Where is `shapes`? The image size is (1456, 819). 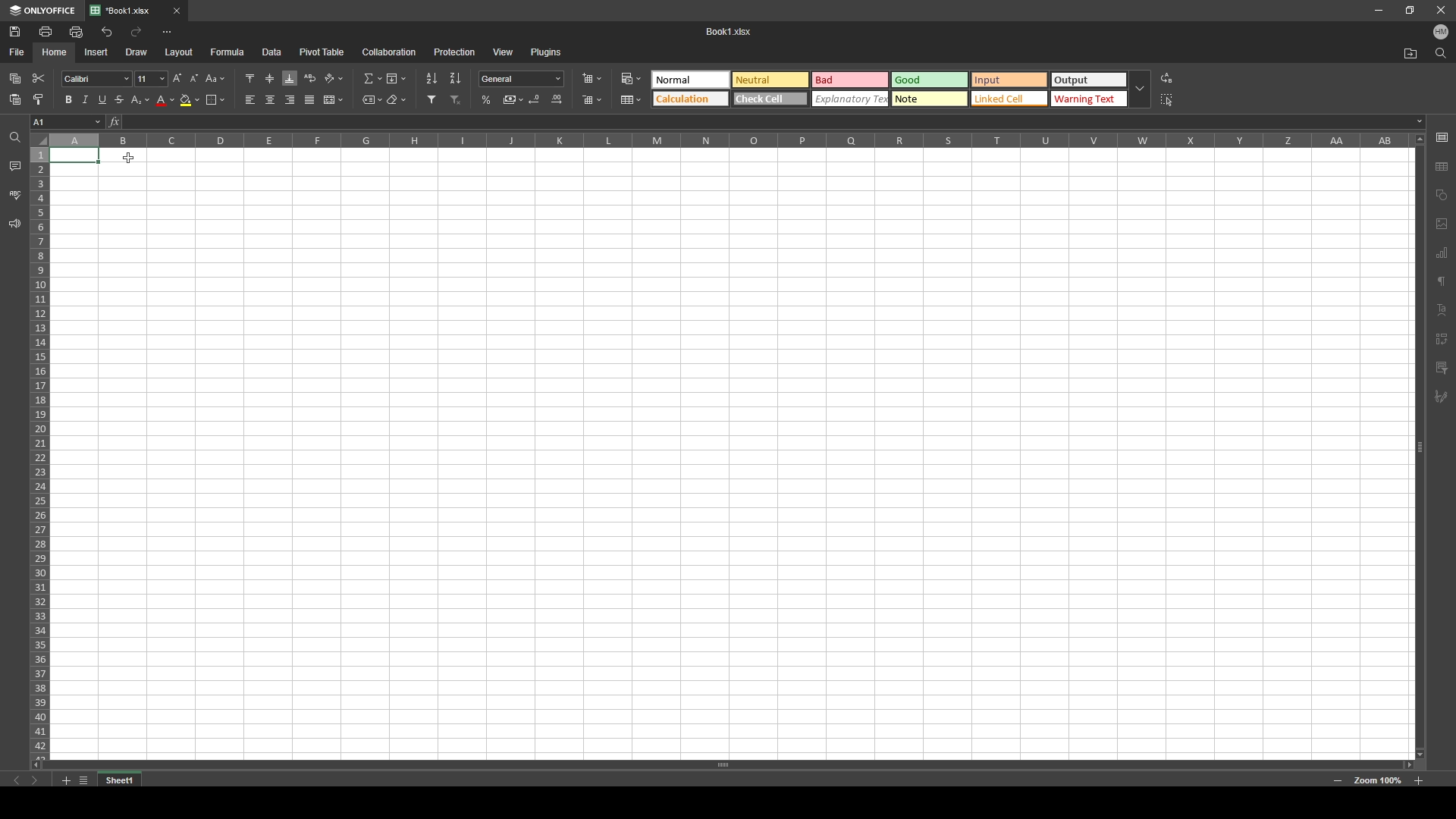
shapes is located at coordinates (1442, 194).